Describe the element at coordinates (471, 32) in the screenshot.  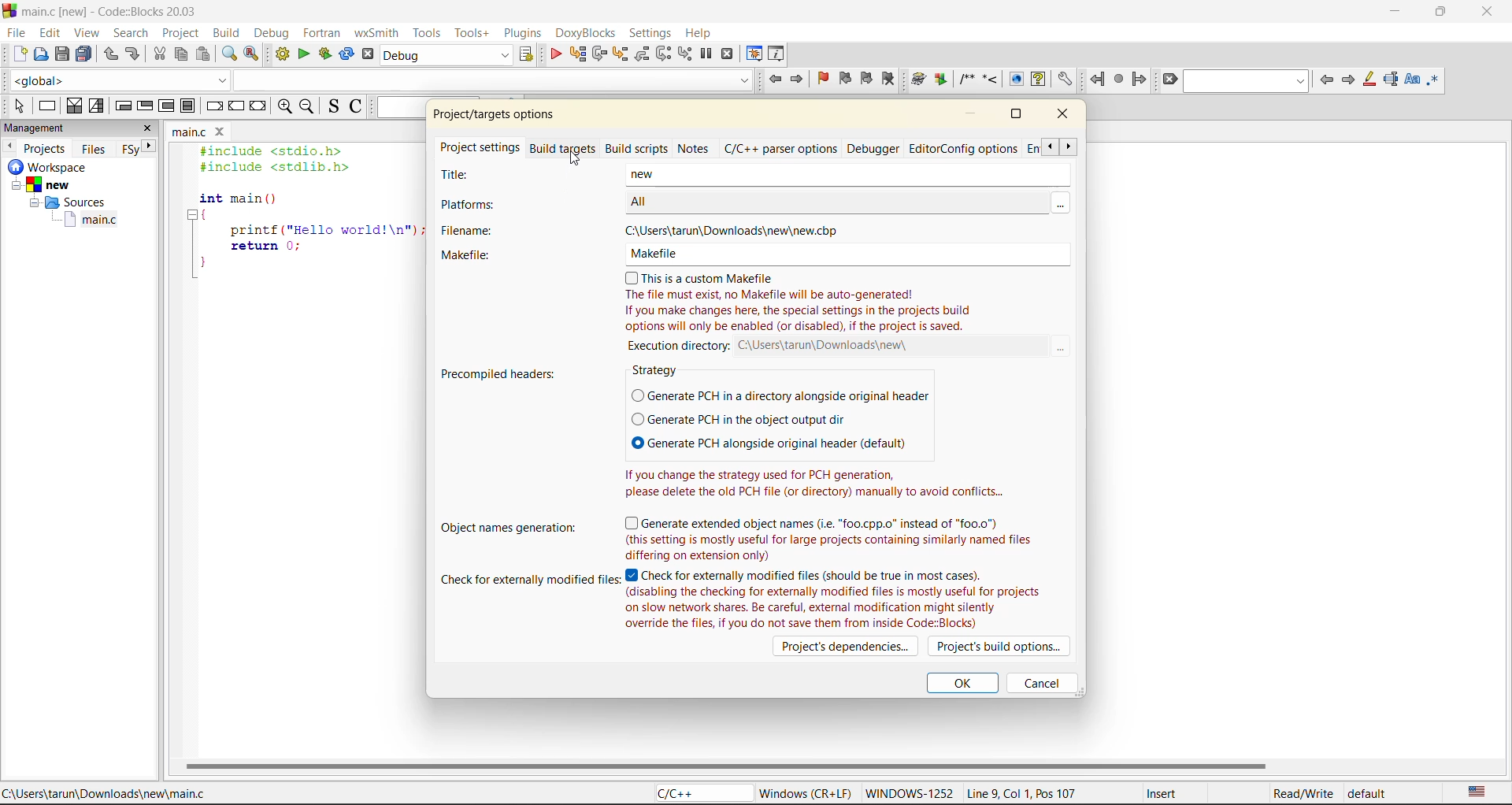
I see `tools+` at that location.